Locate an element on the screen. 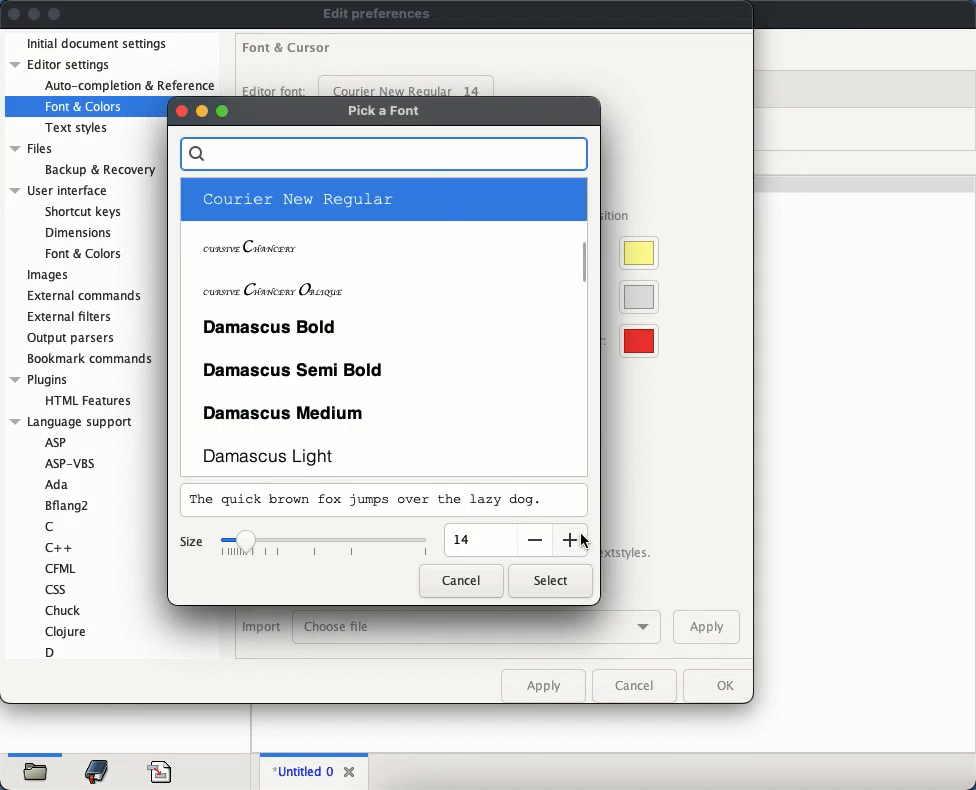 Image resolution: width=976 pixels, height=790 pixels. apply is located at coordinates (706, 626).